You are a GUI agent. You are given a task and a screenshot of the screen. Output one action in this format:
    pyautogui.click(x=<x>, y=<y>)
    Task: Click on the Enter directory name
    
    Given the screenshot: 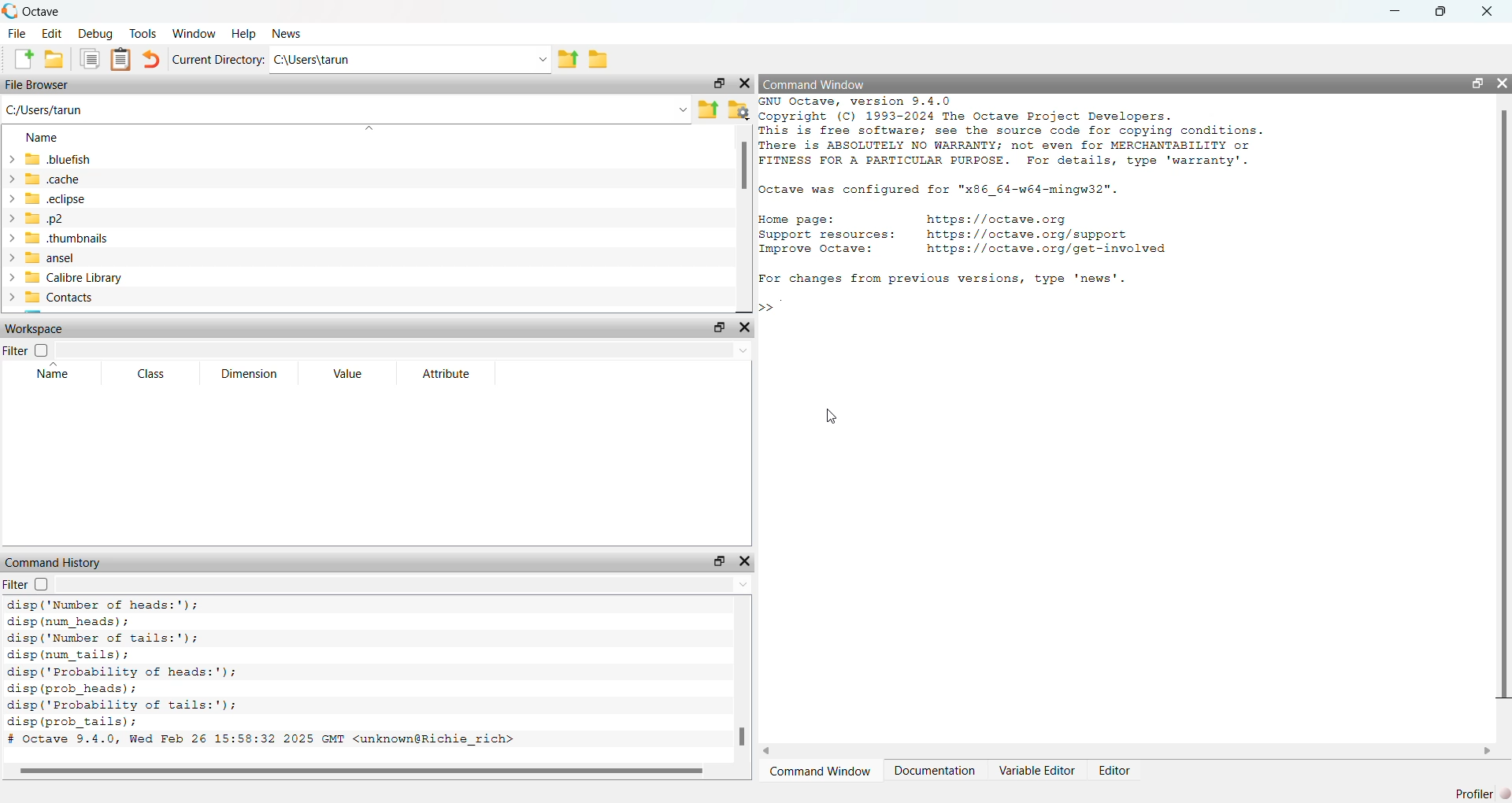 What is the action you would take?
    pyautogui.click(x=543, y=57)
    